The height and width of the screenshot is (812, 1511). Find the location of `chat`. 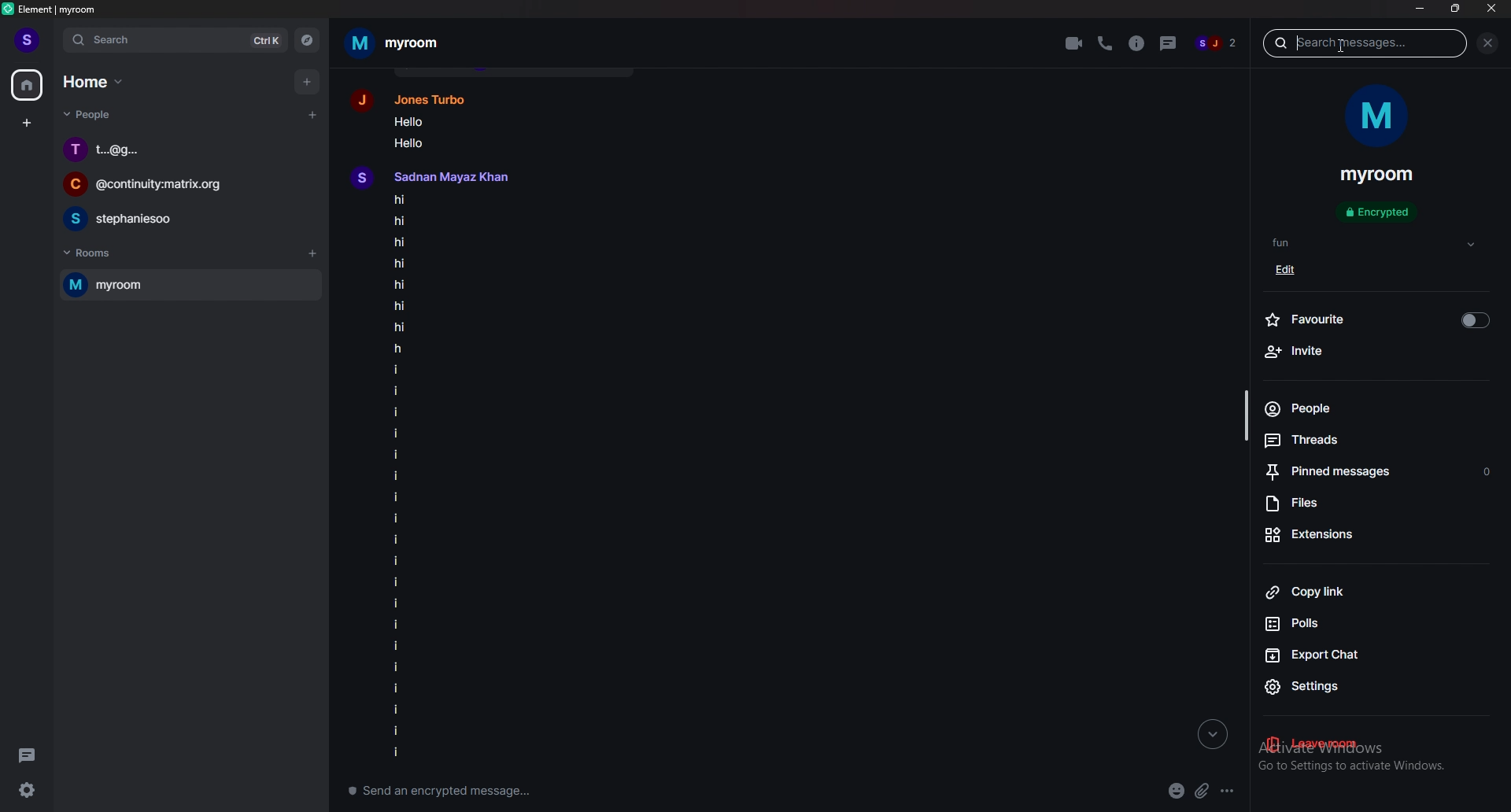

chat is located at coordinates (186, 150).